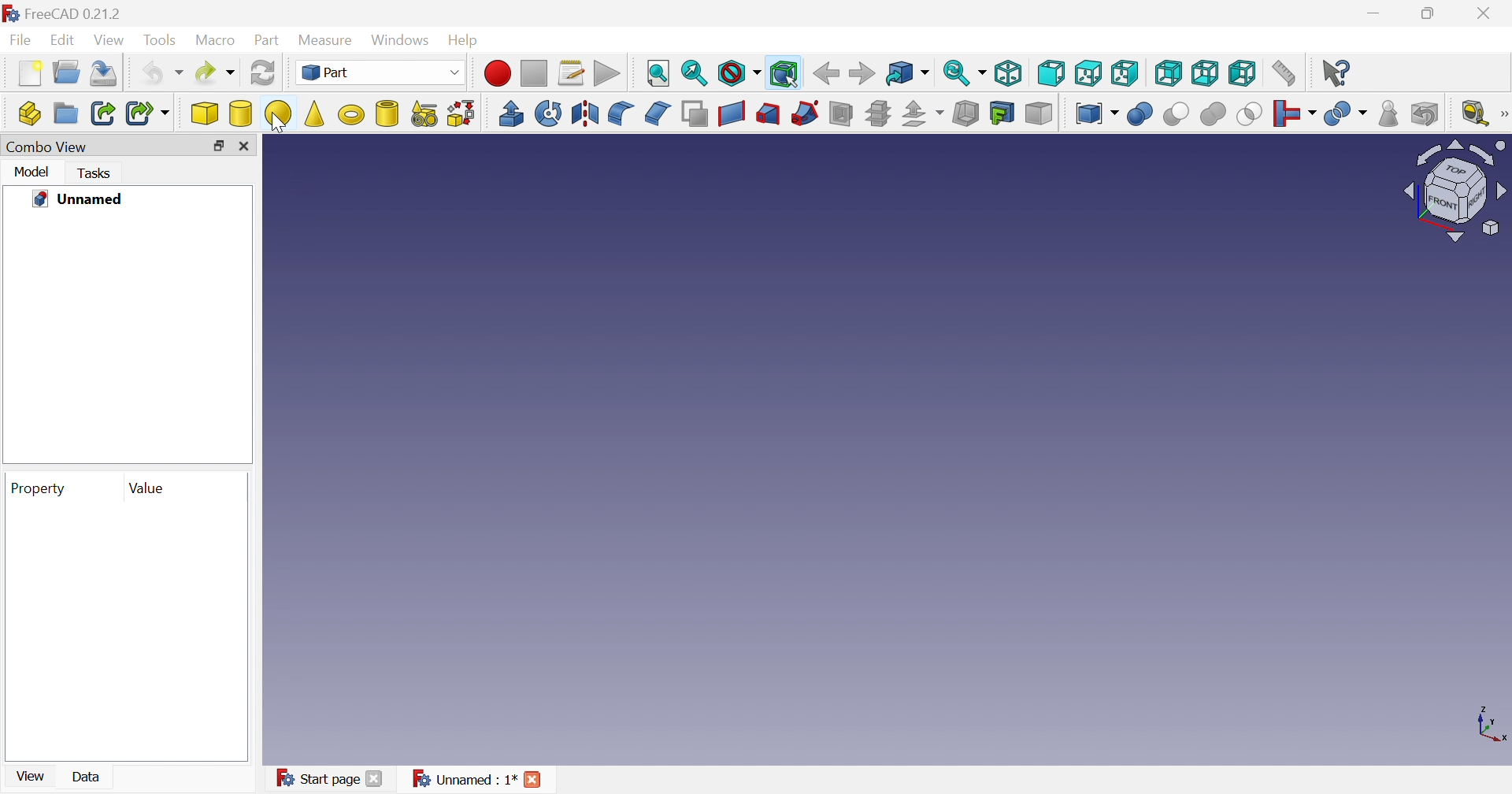 The image size is (1512, 794). I want to click on Compound tools, so click(1094, 113).